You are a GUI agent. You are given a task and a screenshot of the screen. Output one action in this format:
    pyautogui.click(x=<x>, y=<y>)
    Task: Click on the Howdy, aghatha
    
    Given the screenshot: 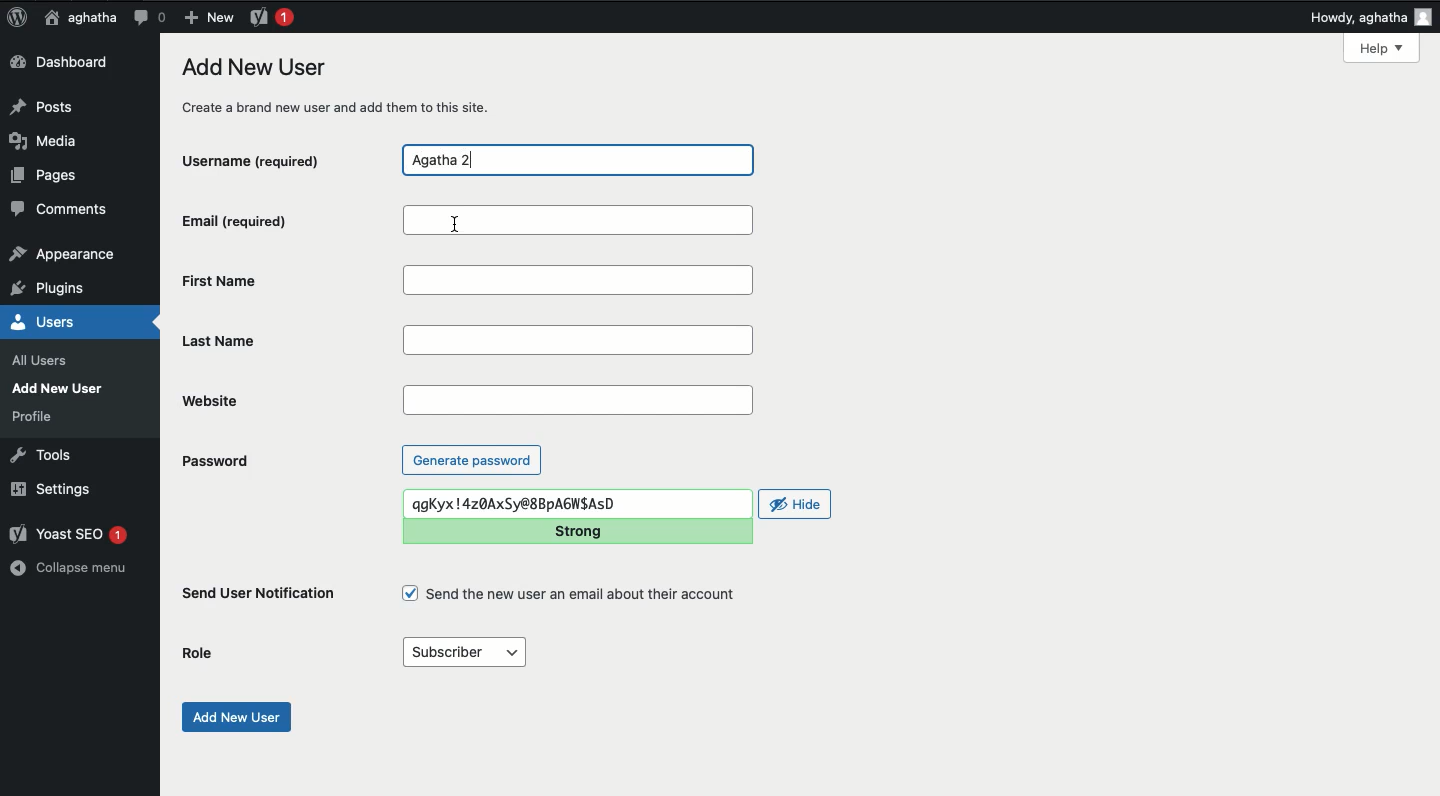 What is the action you would take?
    pyautogui.click(x=1373, y=18)
    